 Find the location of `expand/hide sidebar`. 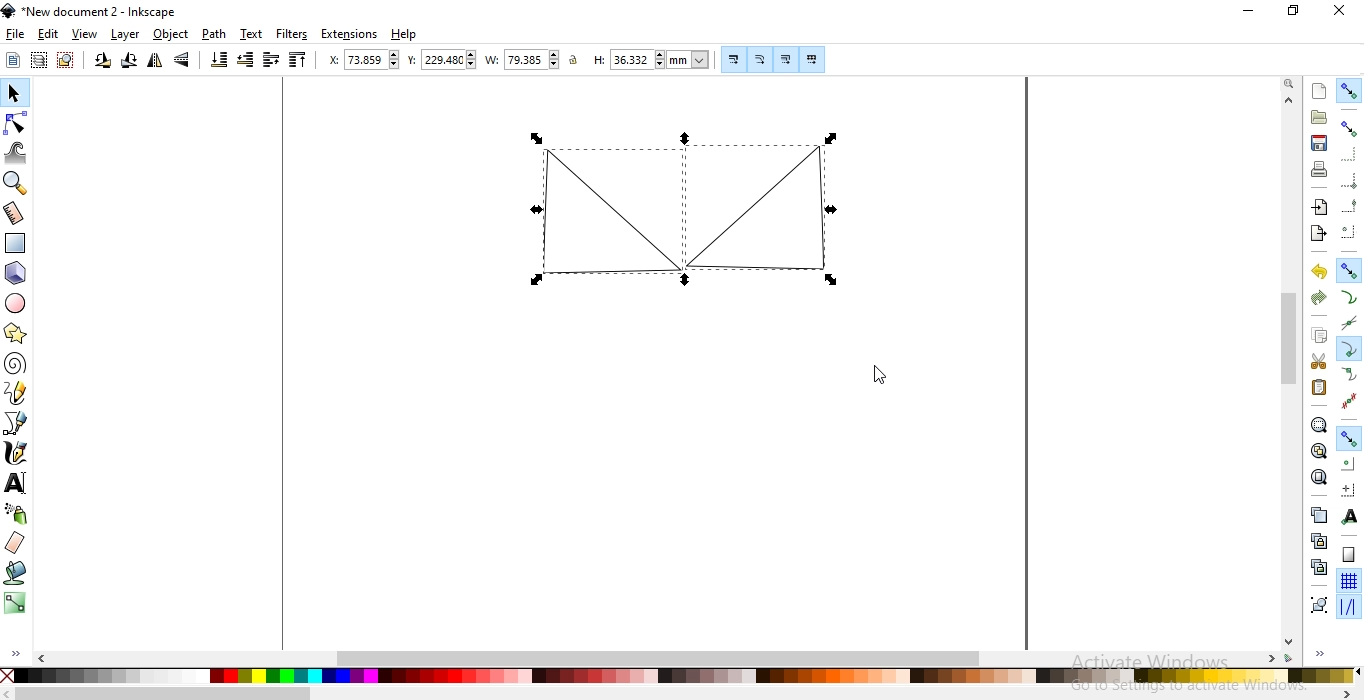

expand/hide sidebar is located at coordinates (14, 653).